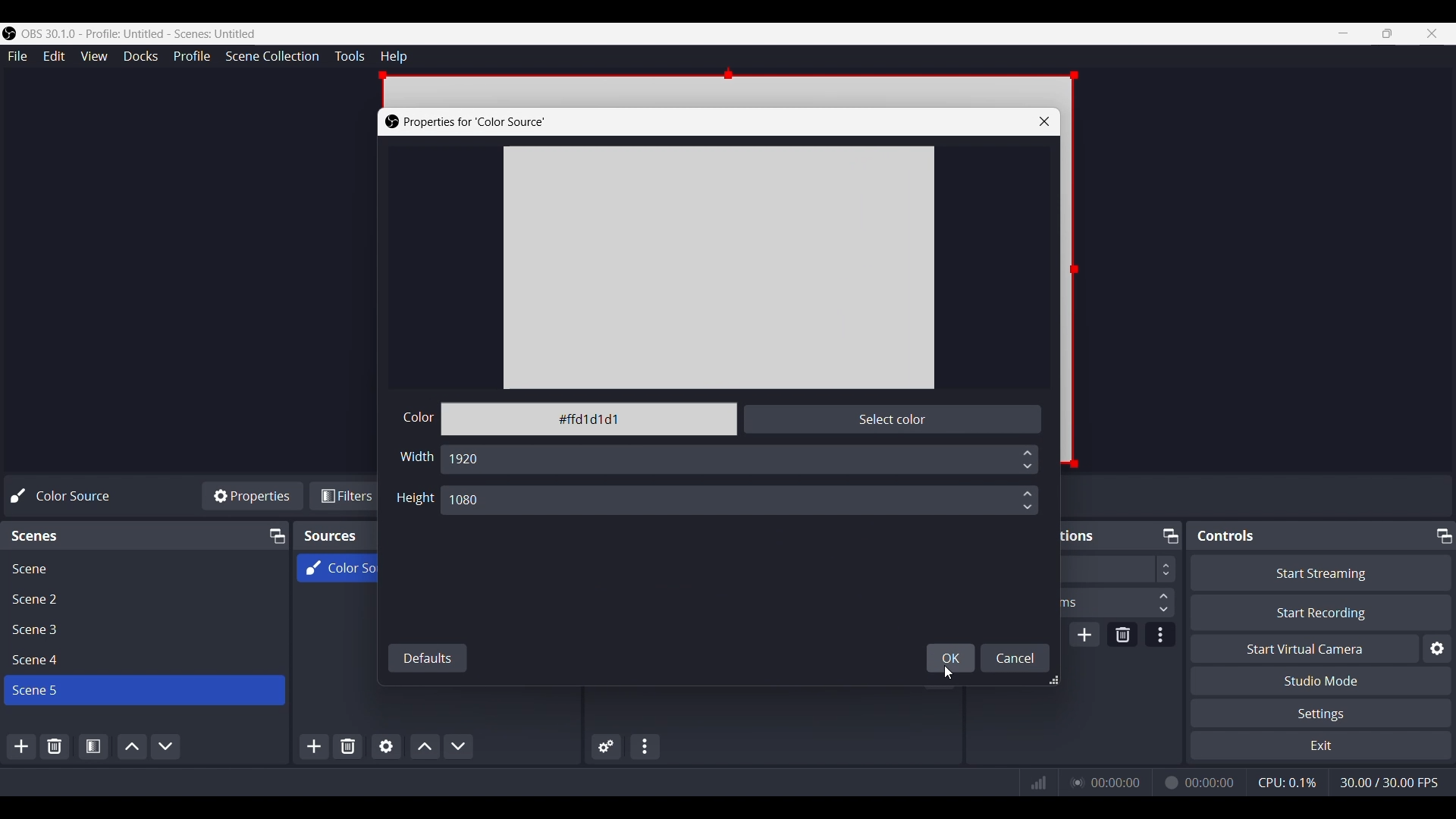 Image resolution: width=1456 pixels, height=819 pixels. I want to click on Profile, so click(193, 57).